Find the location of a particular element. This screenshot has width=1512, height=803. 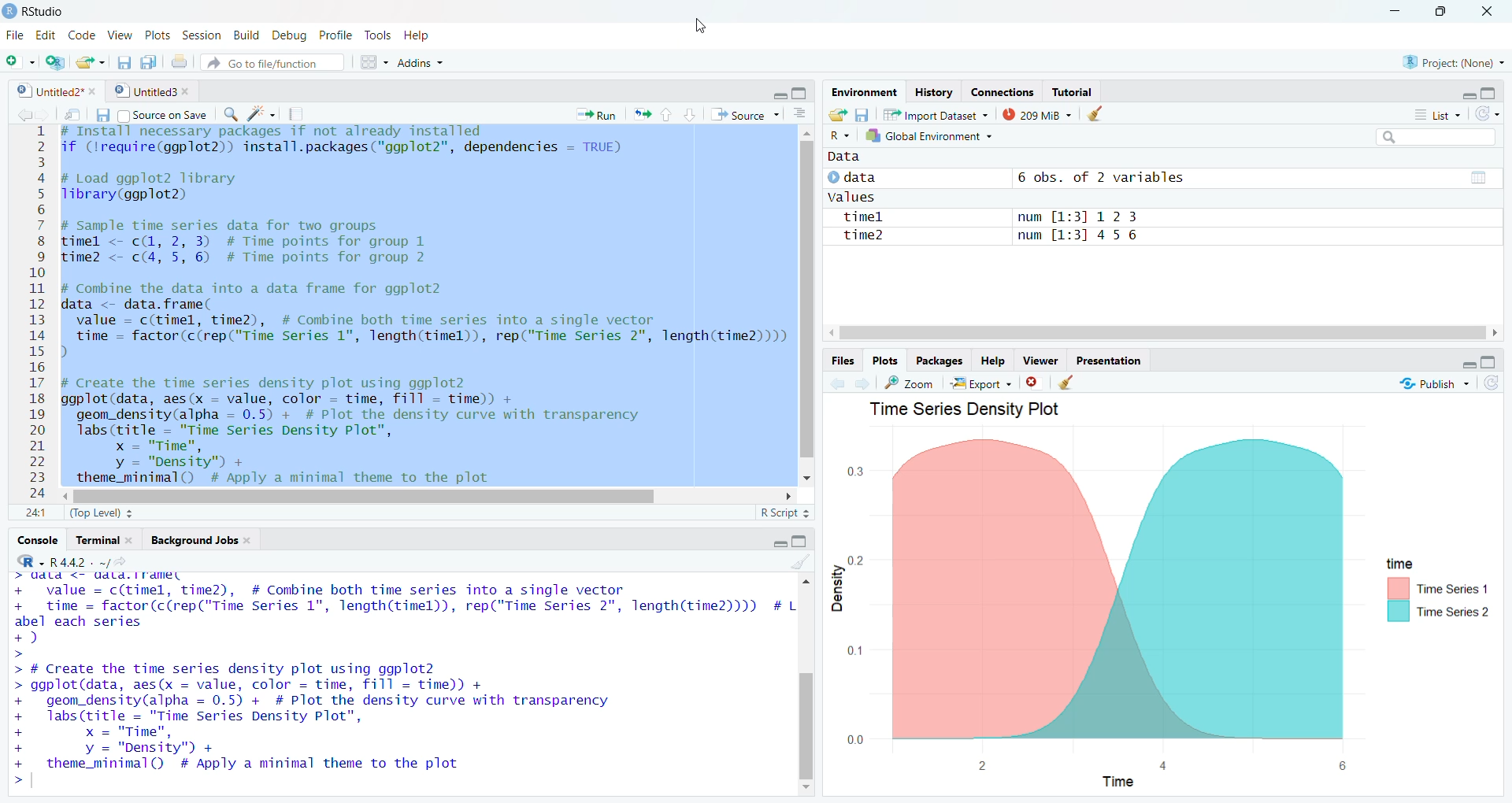

# Create the time series density plot using ggplot2
ggplot(data, aes(x = value, color = time, fill = time)) +
geom_density(alpha = 0.5) + # Plot the density curve with transparency
labs (title = "Time Series Density Plot",
x = "Time",
y - "Density" +
~~ theme_minimal() # Apply a minimal theme to the plot is located at coordinates (384, 430).